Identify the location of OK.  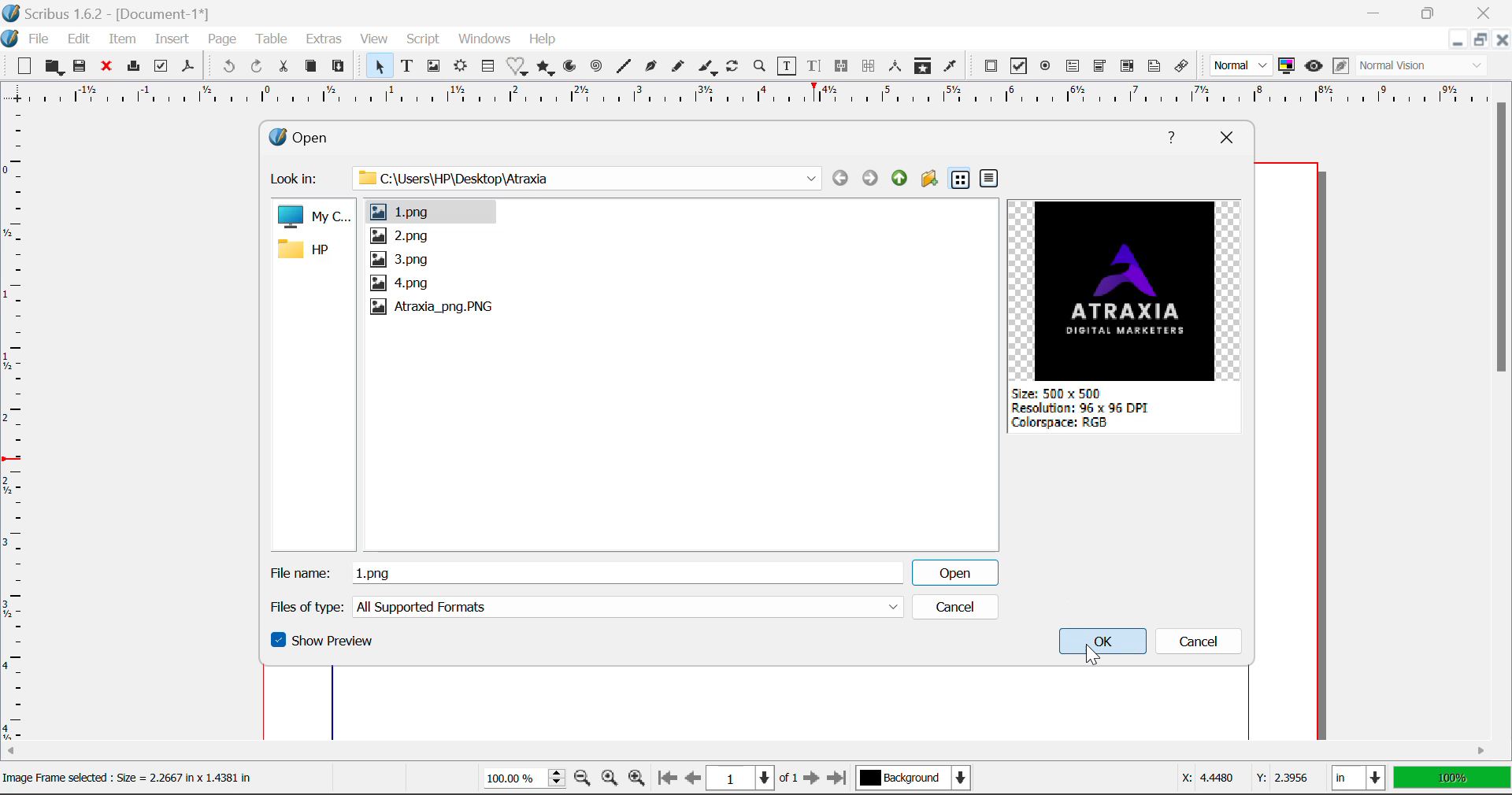
(1105, 644).